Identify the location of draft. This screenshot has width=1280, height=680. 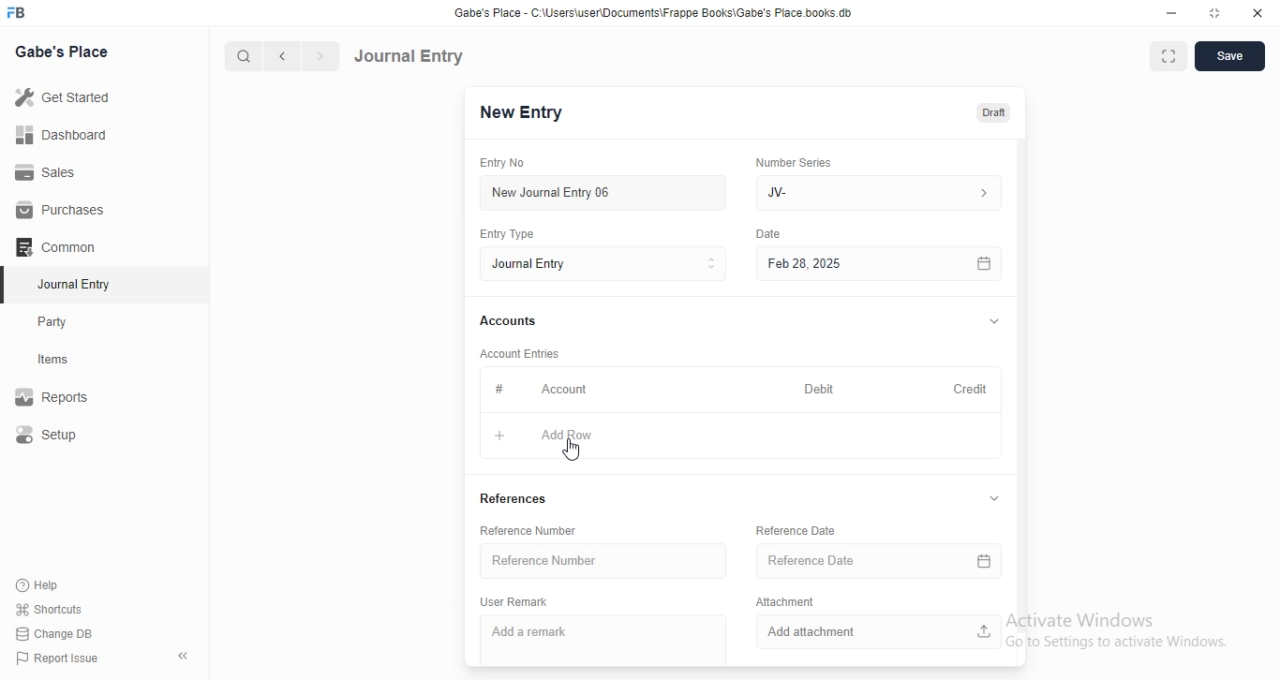
(993, 114).